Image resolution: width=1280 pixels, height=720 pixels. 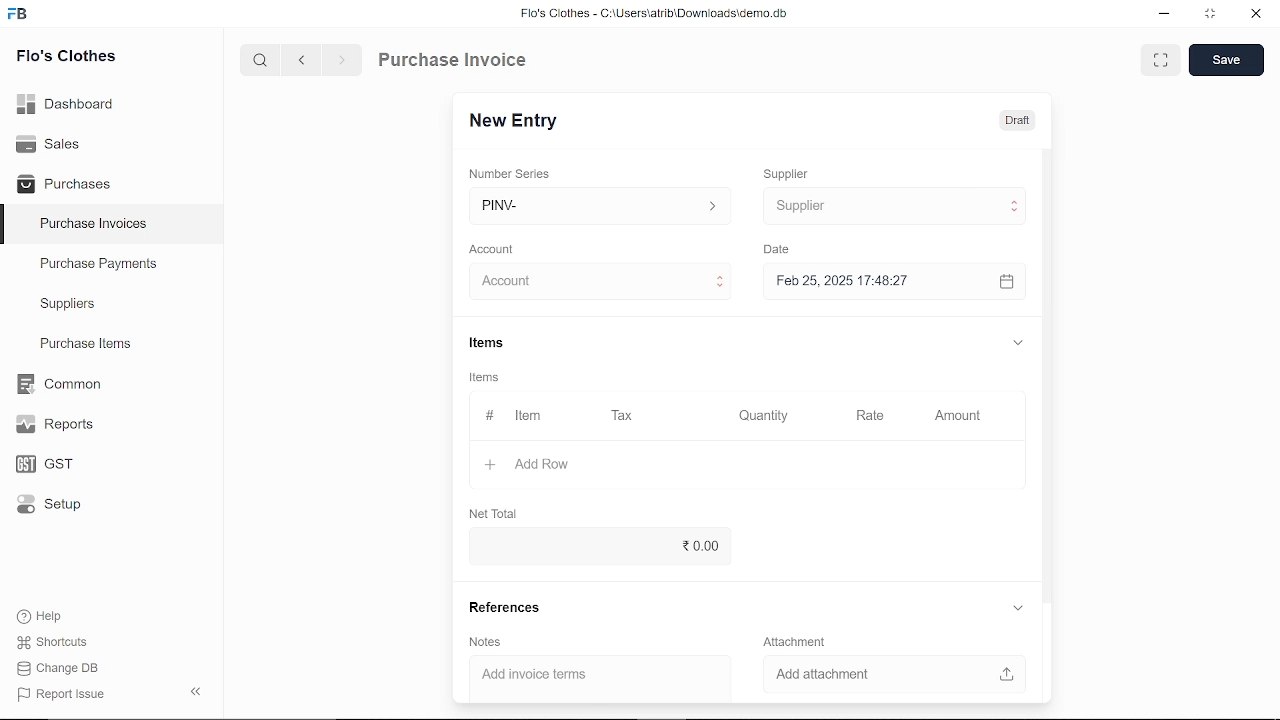 I want to click on Purchases, so click(x=64, y=182).